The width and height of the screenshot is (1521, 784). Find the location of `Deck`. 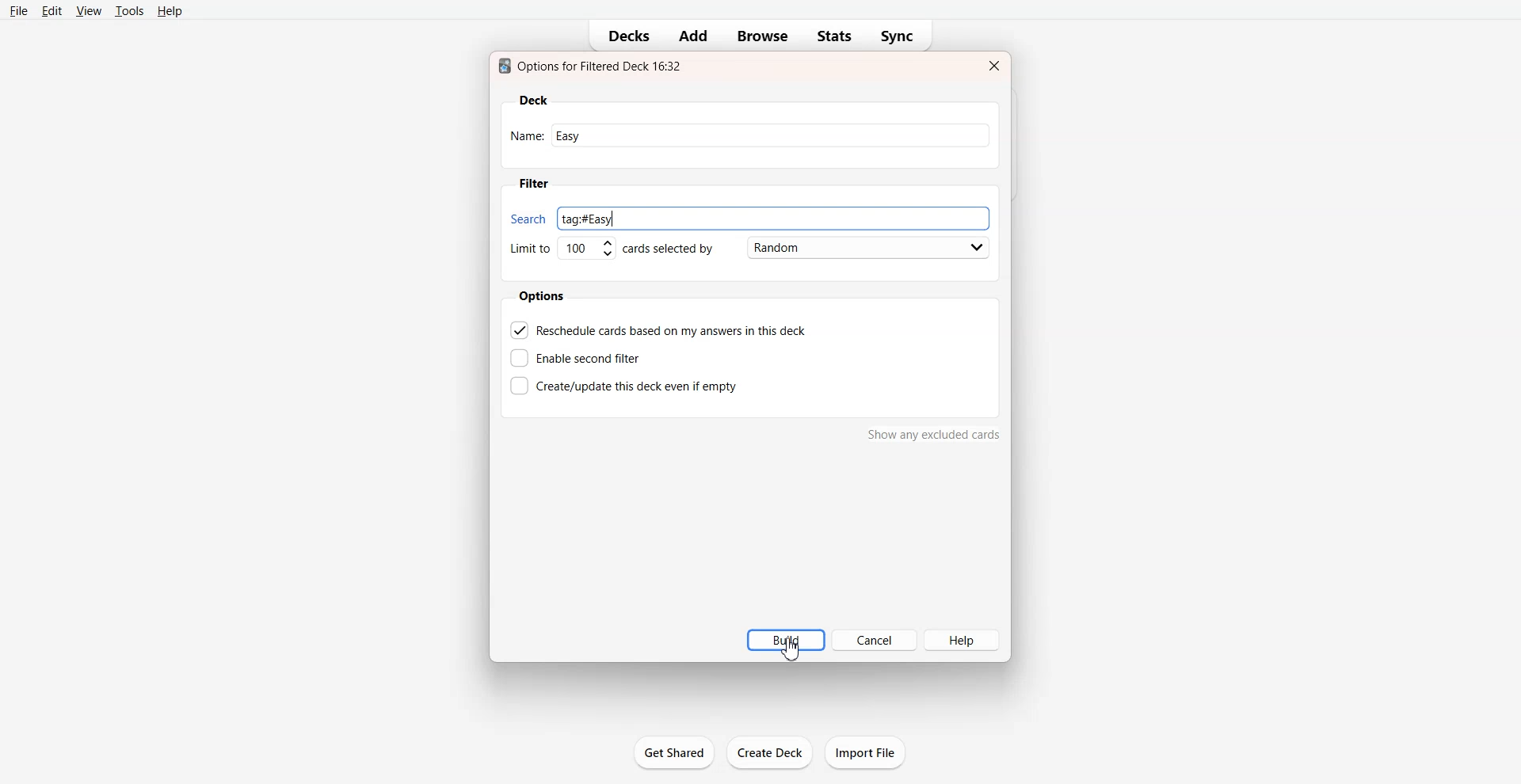

Deck is located at coordinates (534, 101).